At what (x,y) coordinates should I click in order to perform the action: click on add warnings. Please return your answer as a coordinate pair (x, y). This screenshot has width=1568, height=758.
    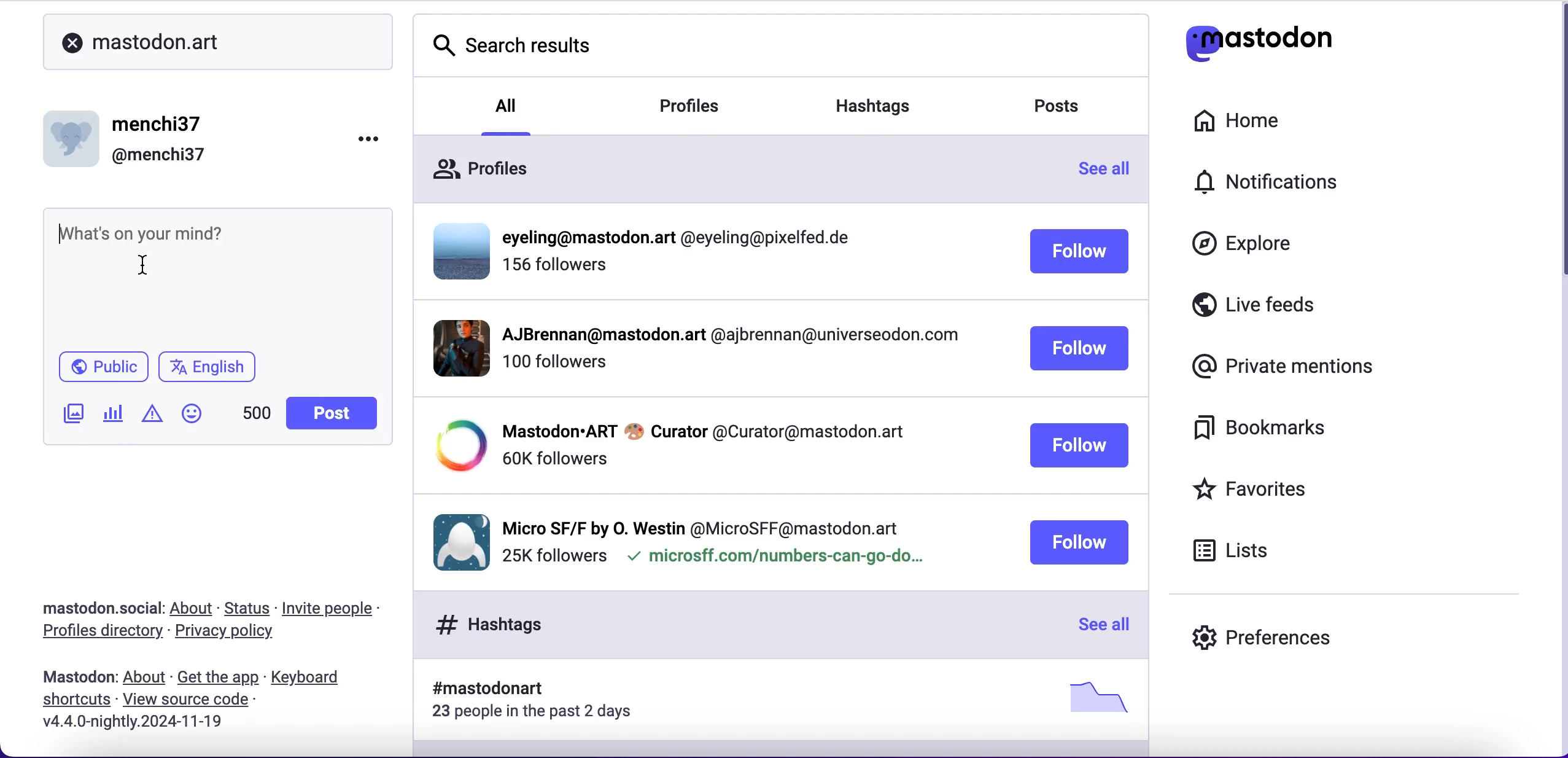
    Looking at the image, I should click on (152, 418).